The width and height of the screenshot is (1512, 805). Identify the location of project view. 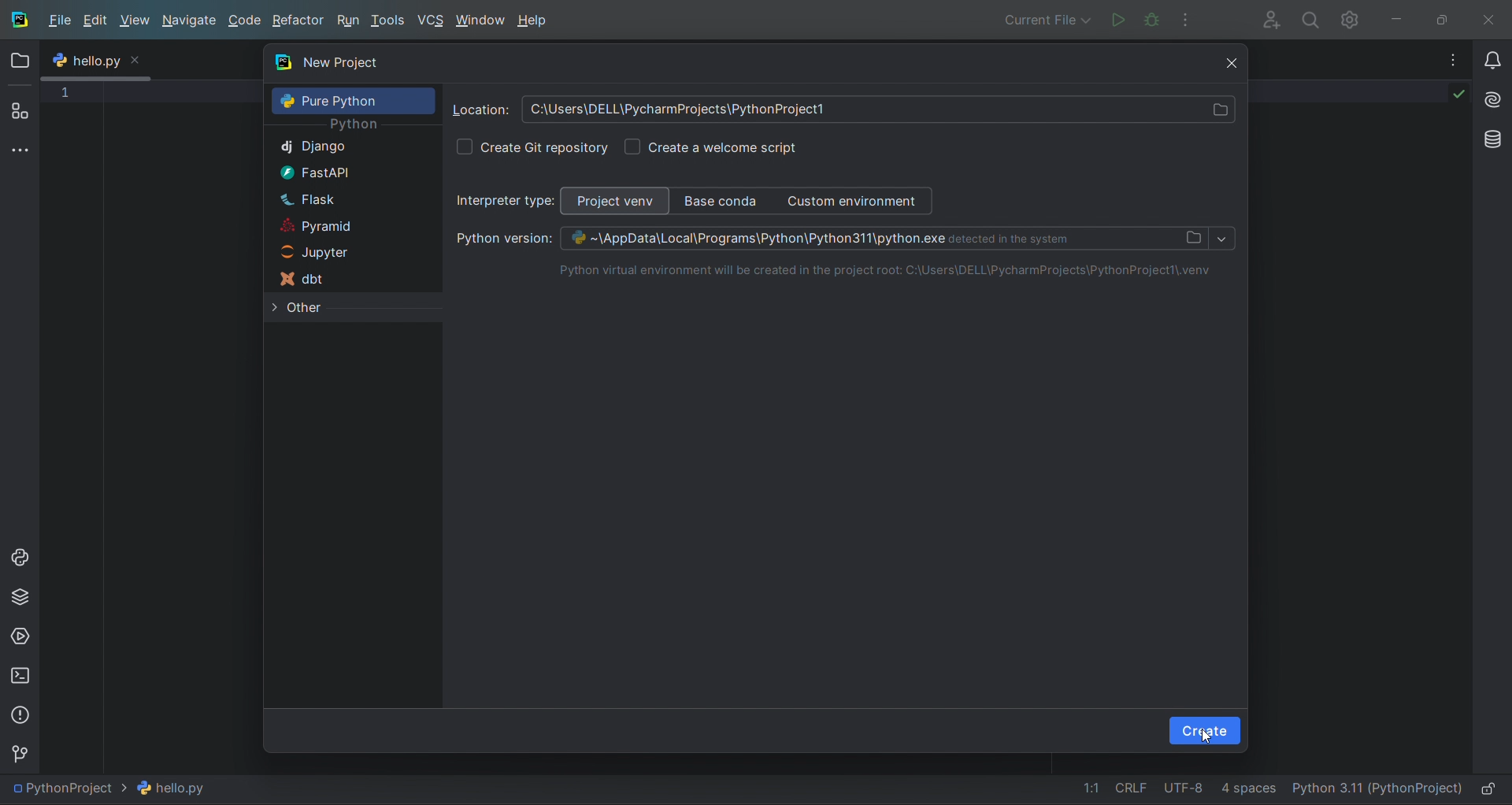
(617, 201).